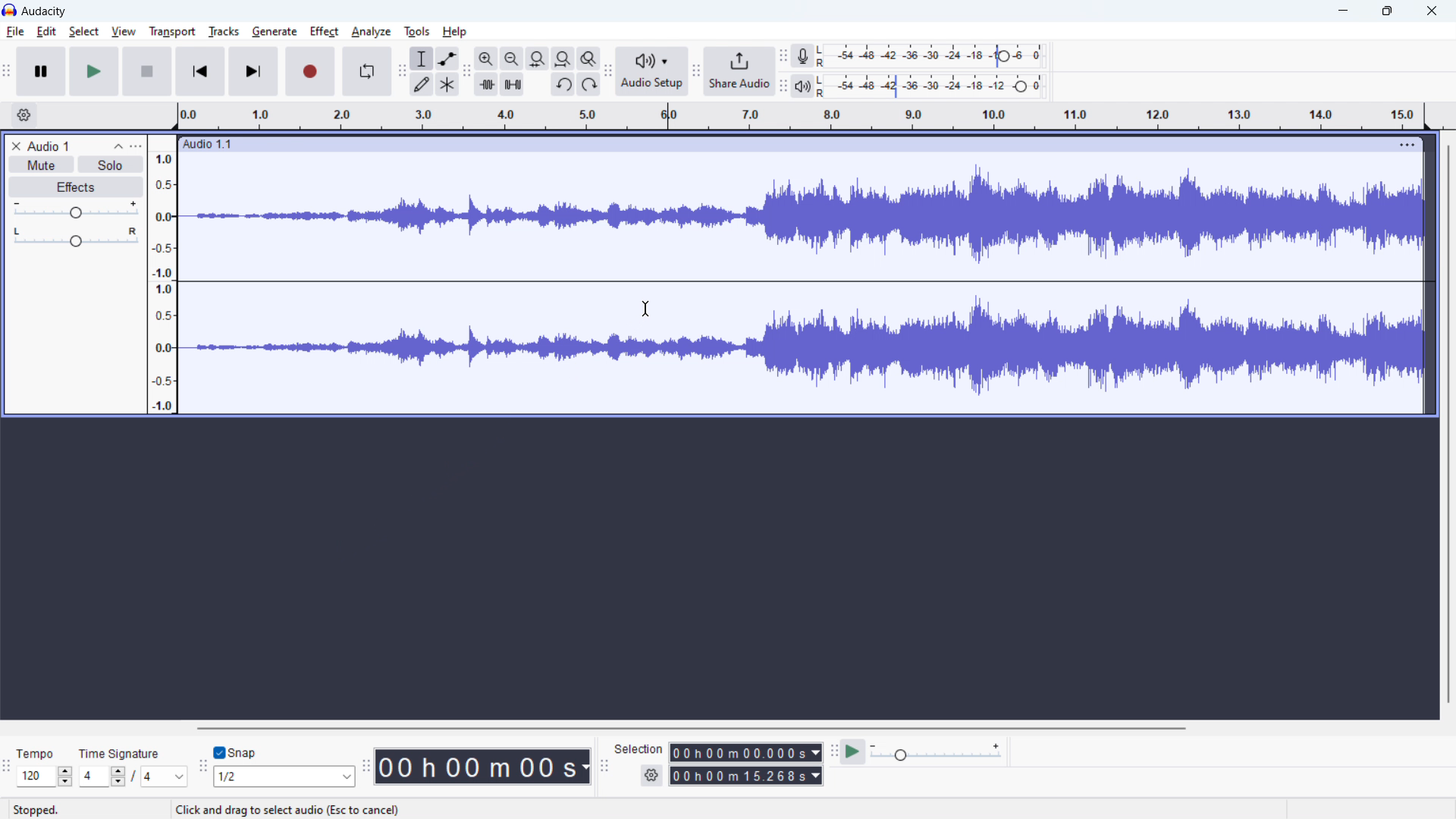 The height and width of the screenshot is (819, 1456). I want to click on play at speed, so click(853, 752).